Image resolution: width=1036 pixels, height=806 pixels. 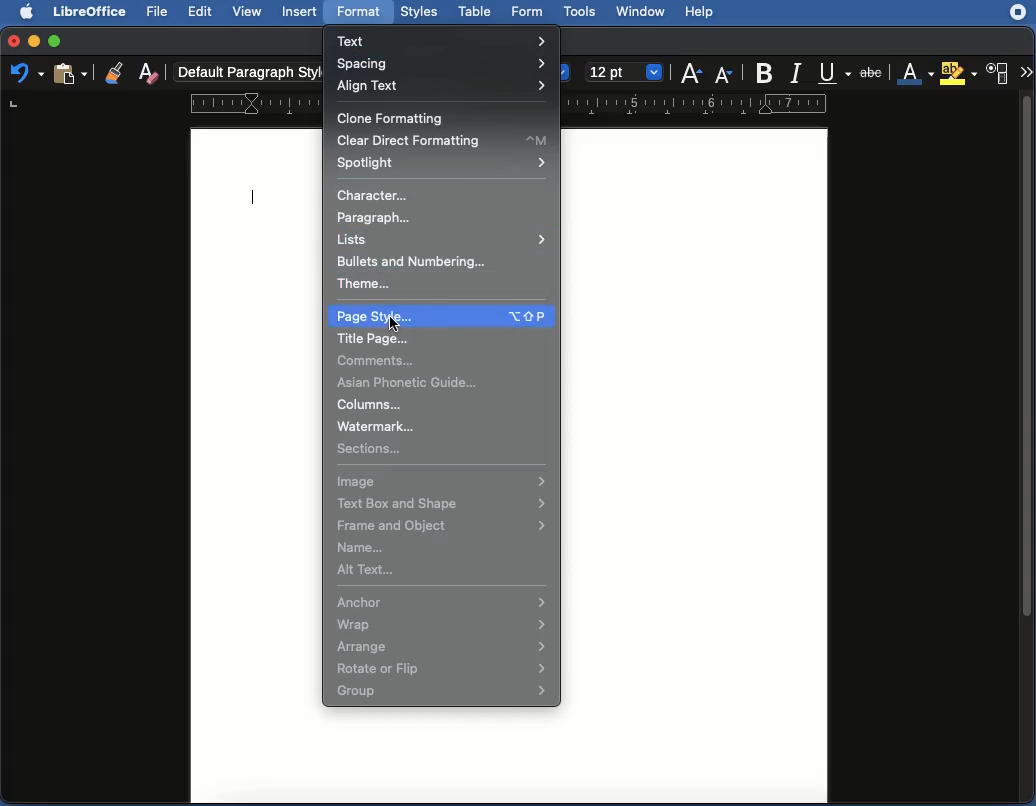 I want to click on Styles, so click(x=420, y=12).